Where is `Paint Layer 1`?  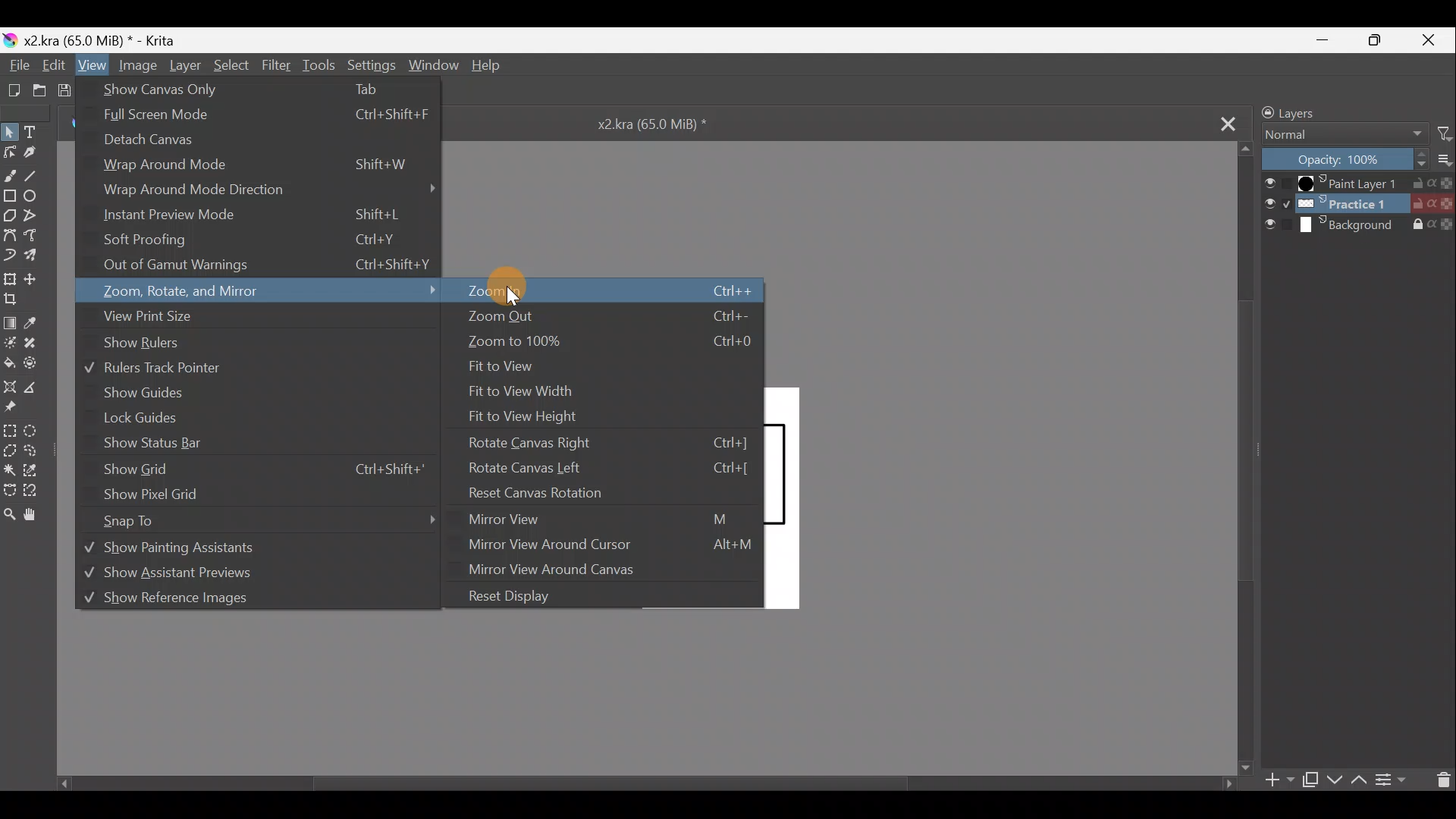 Paint Layer 1 is located at coordinates (1355, 182).